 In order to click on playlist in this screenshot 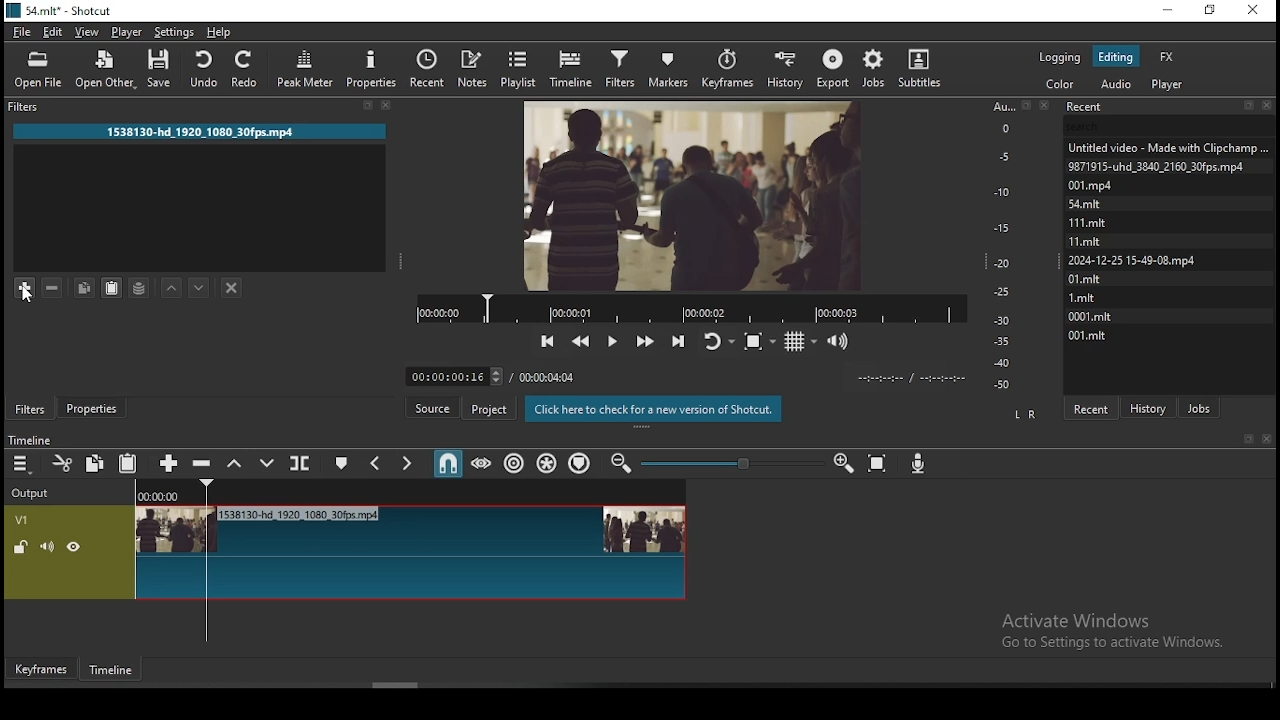, I will do `click(521, 67)`.